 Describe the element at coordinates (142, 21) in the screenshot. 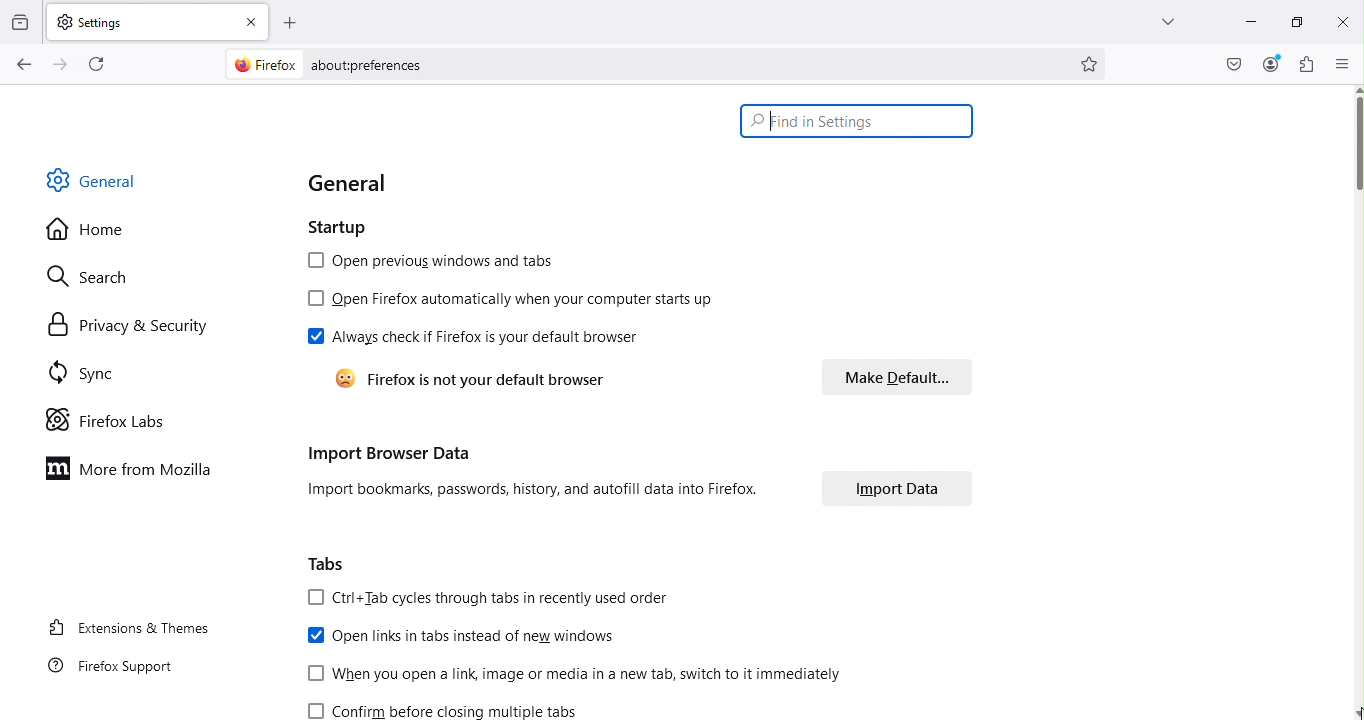

I see `Settings` at that location.